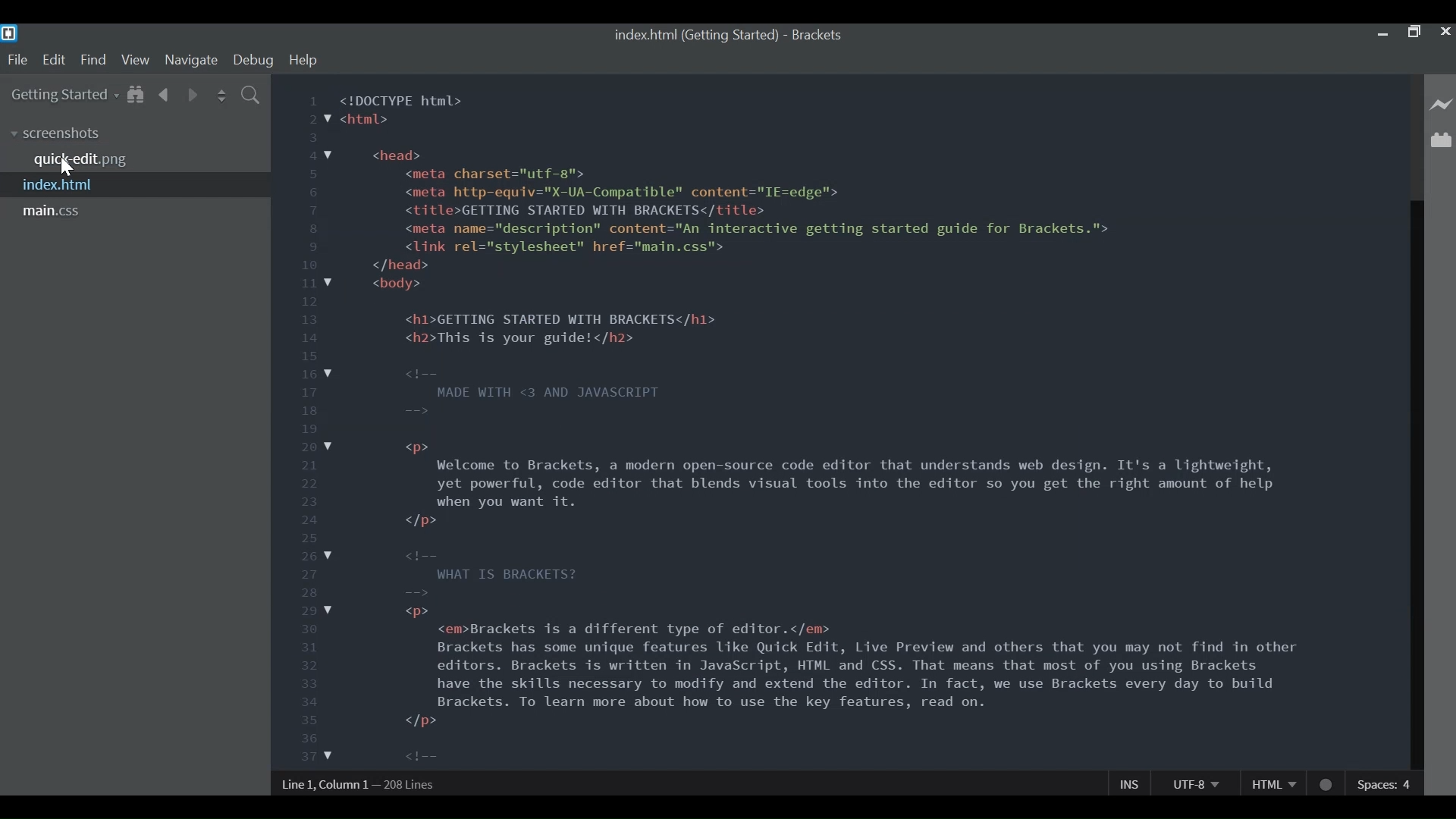  What do you see at coordinates (821, 34) in the screenshot?
I see `Brackets` at bounding box center [821, 34].